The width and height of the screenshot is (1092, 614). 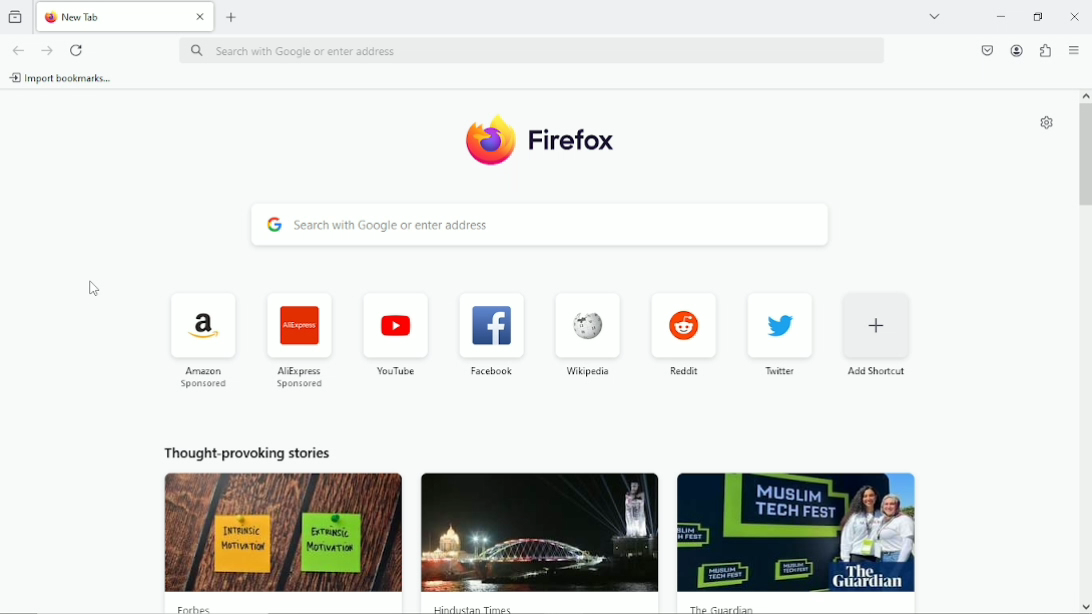 I want to click on Minimize, so click(x=999, y=15).